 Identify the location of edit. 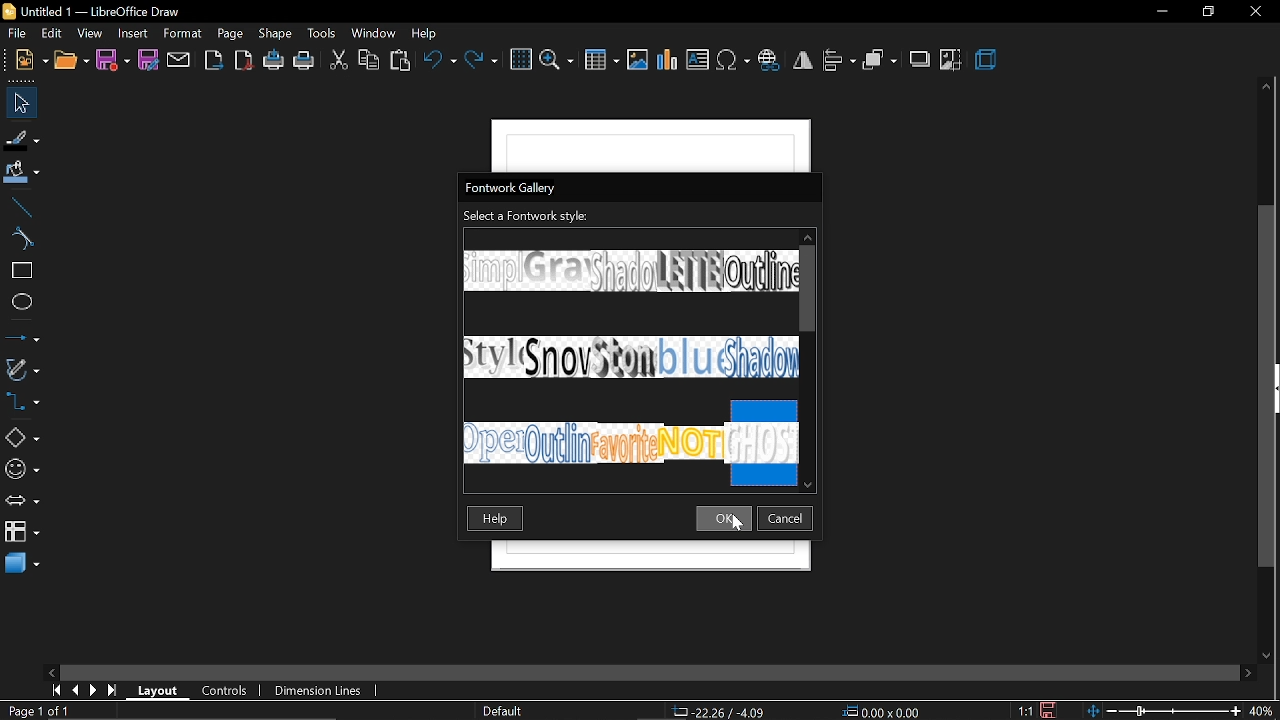
(54, 32).